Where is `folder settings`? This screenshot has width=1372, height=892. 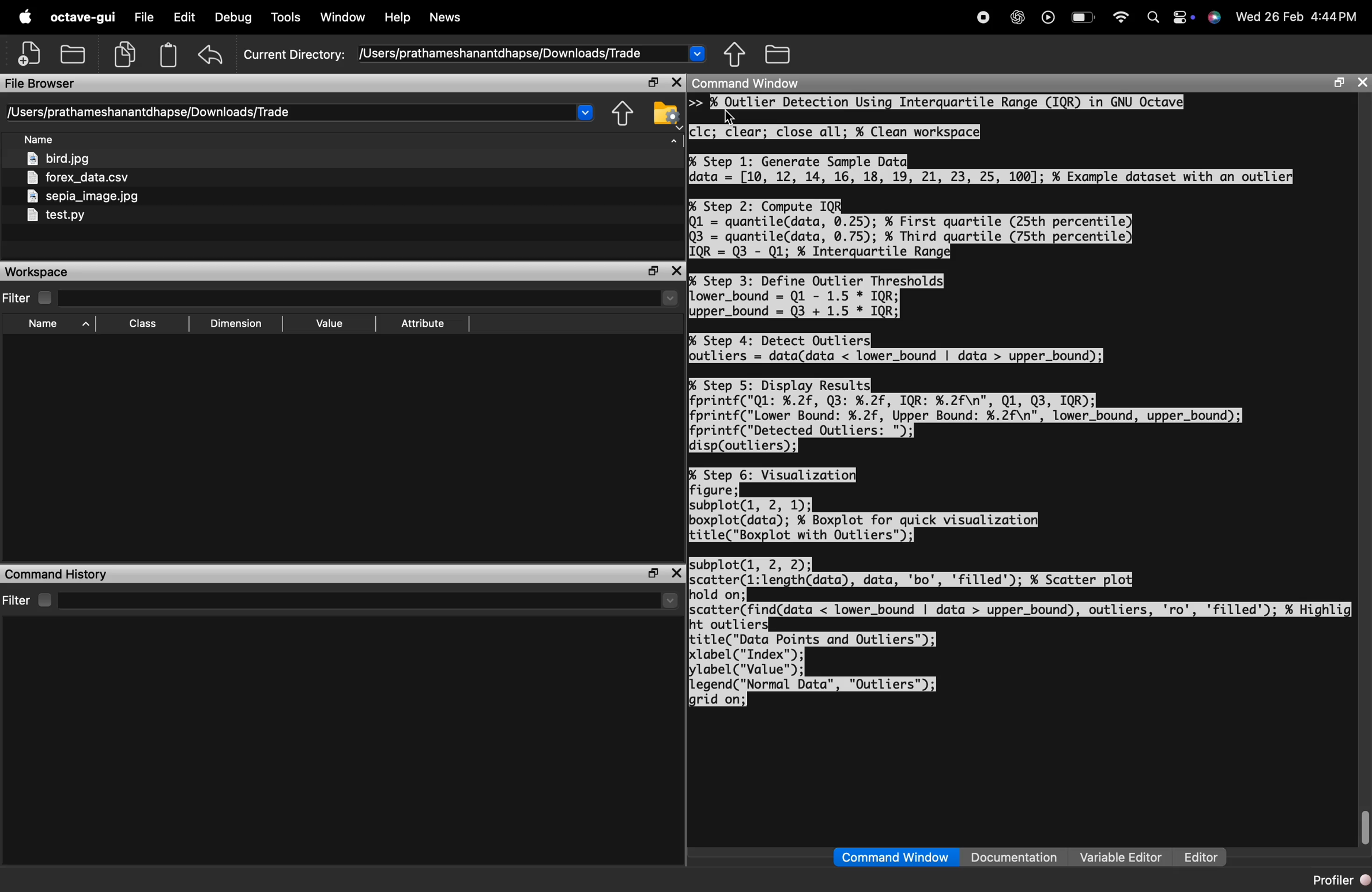 folder settings is located at coordinates (666, 114).